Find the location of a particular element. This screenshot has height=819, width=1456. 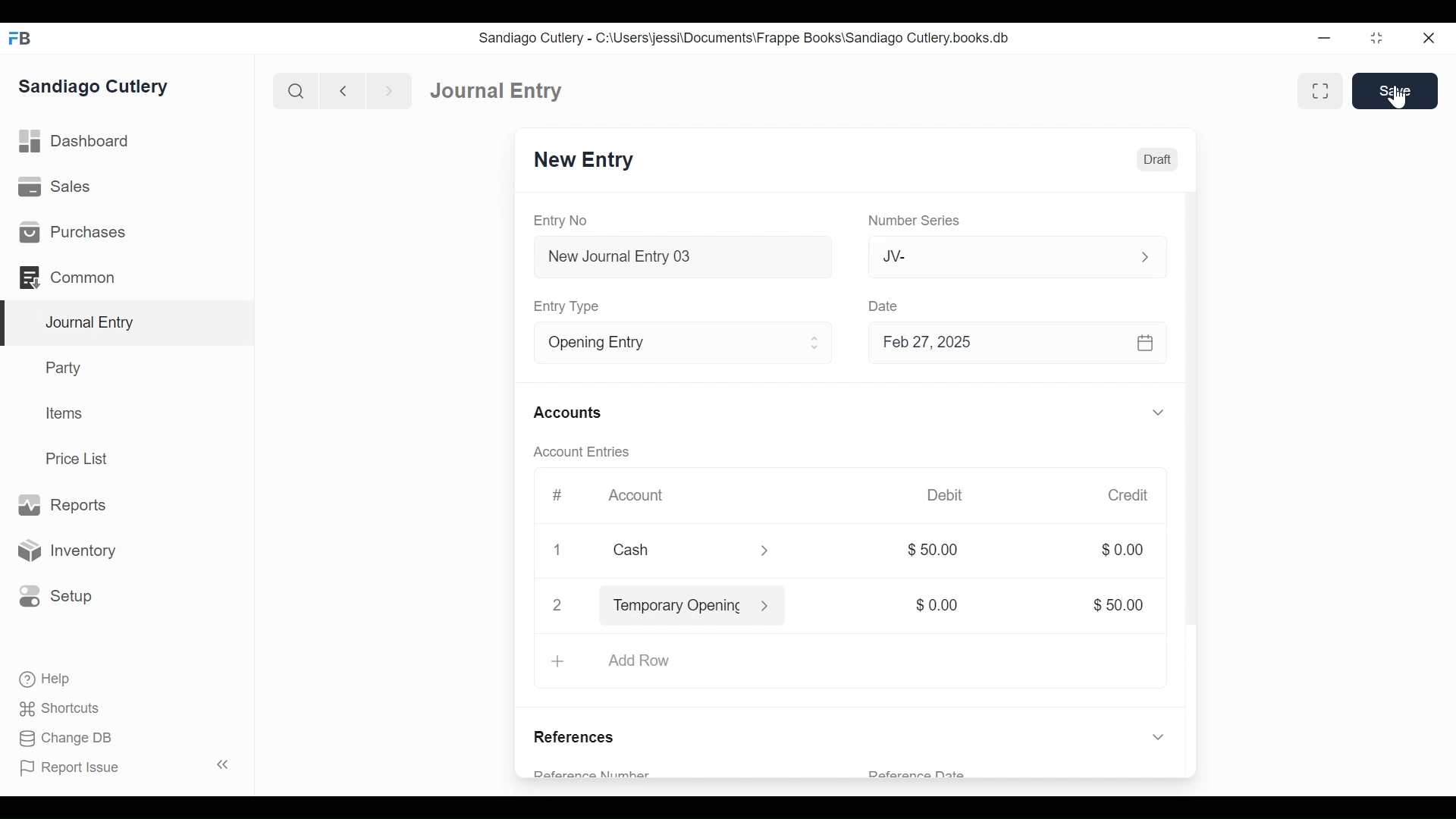

Number Series is located at coordinates (912, 221).